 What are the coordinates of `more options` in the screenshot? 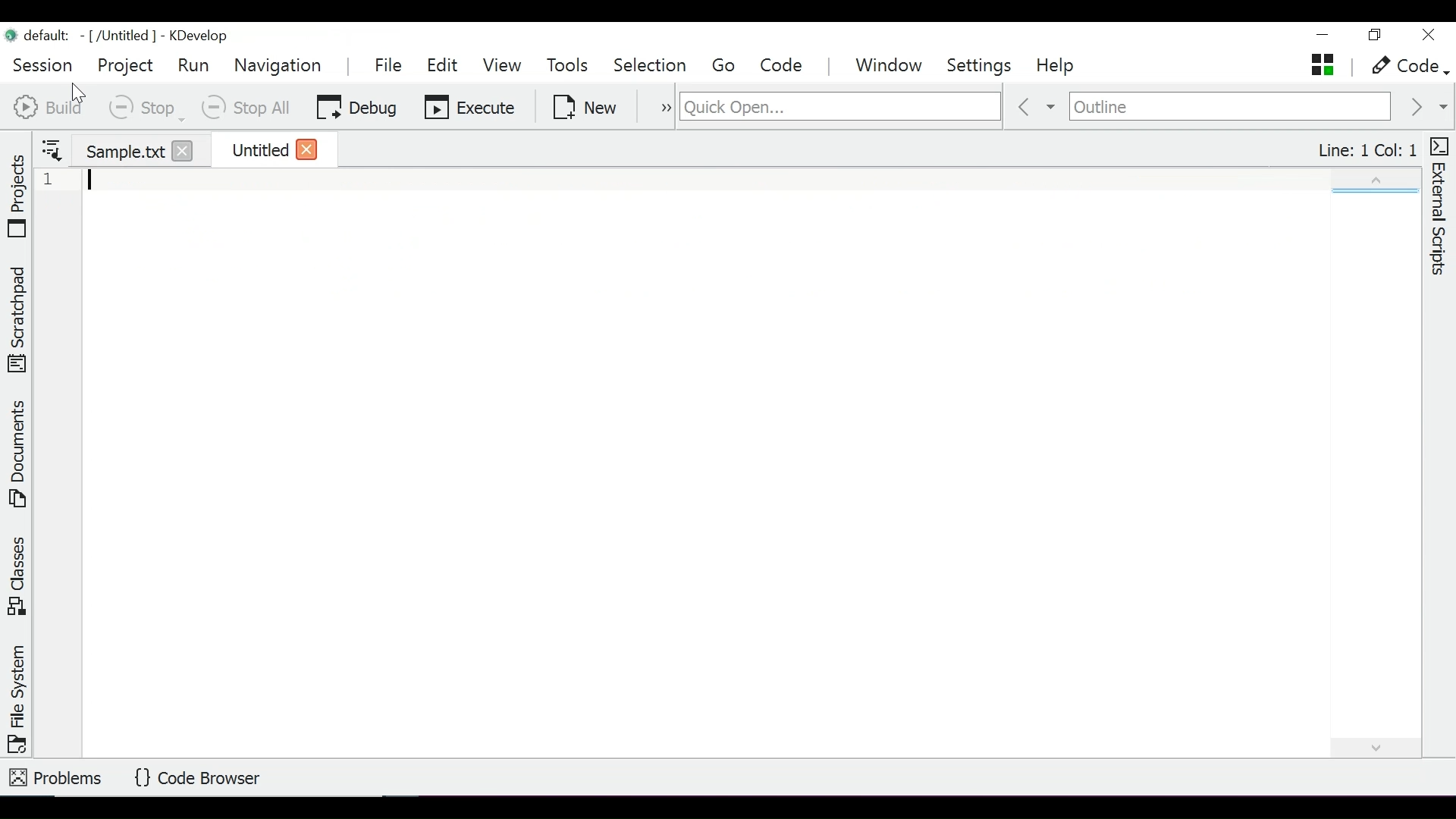 It's located at (50, 149).